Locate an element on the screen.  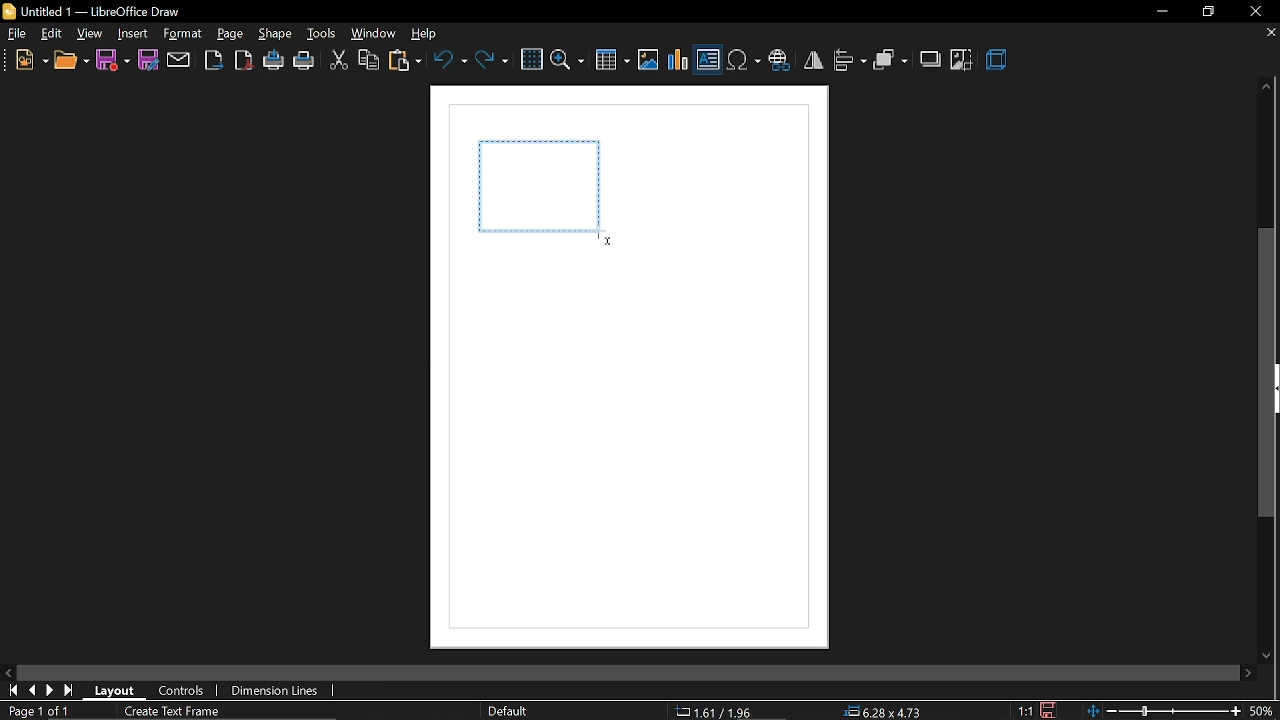
print is located at coordinates (305, 63).